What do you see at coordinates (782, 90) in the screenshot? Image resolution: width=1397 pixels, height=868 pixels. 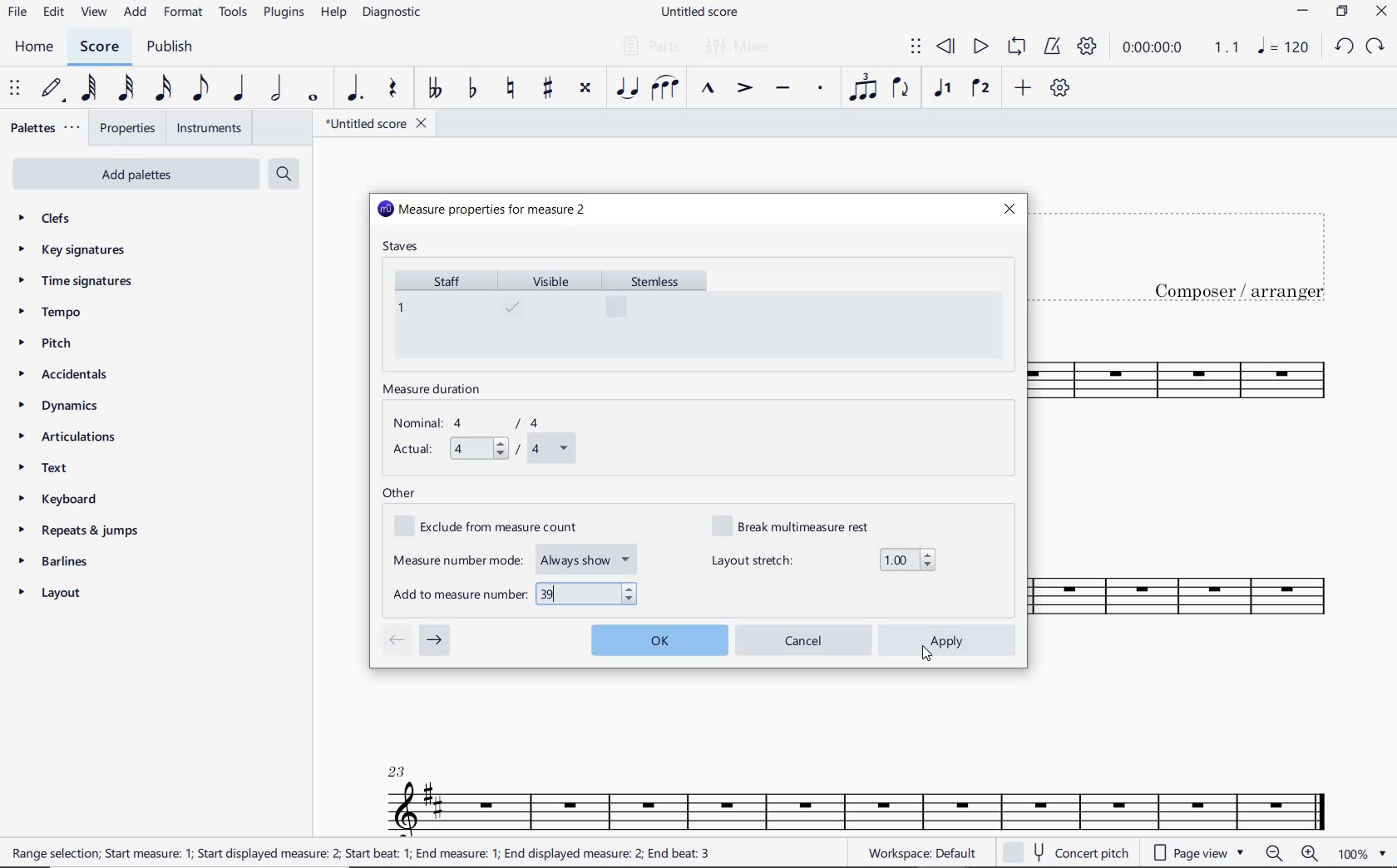 I see `TENUTO` at bounding box center [782, 90].